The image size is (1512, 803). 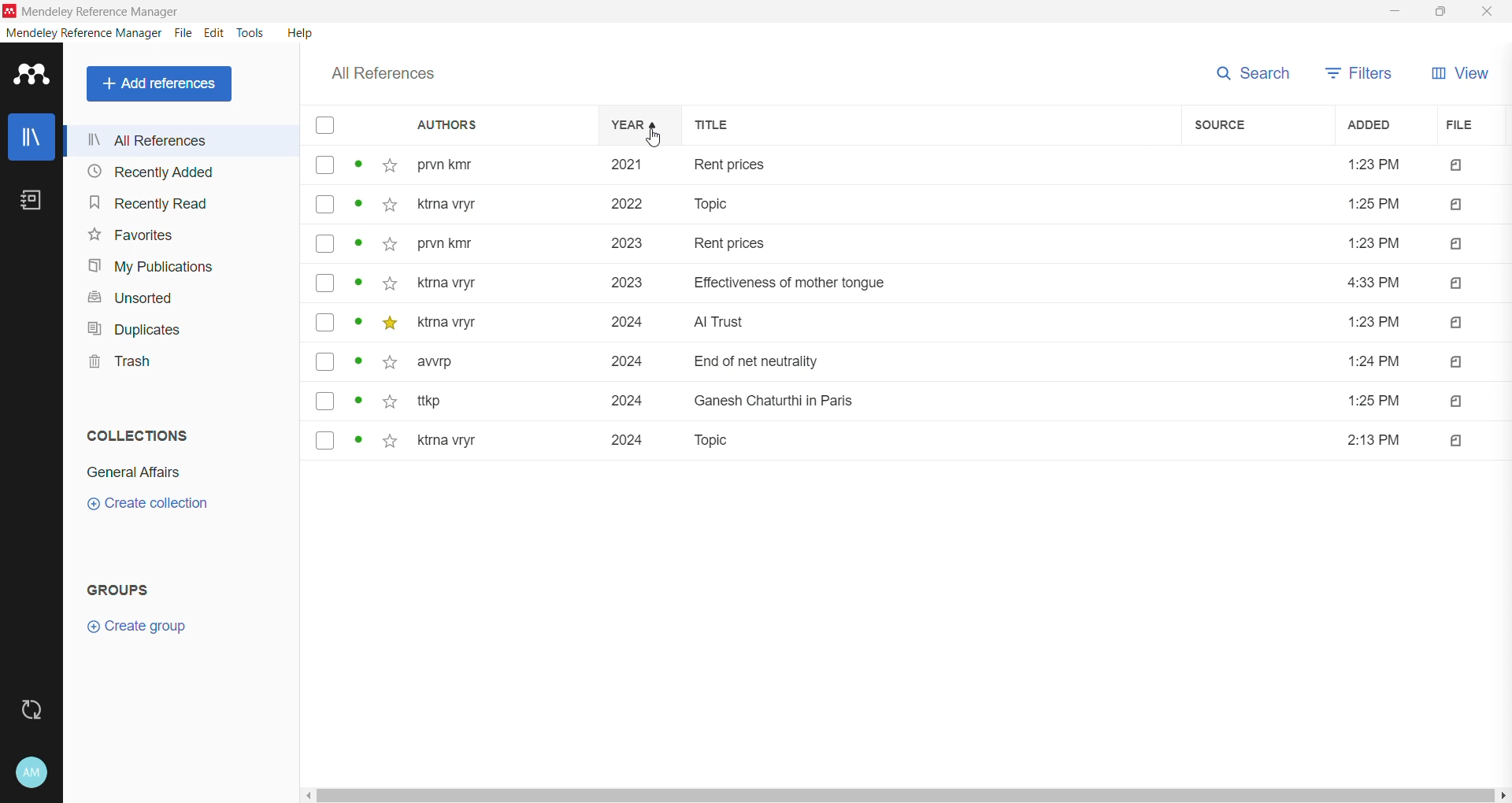 What do you see at coordinates (252, 33) in the screenshot?
I see `Tools` at bounding box center [252, 33].